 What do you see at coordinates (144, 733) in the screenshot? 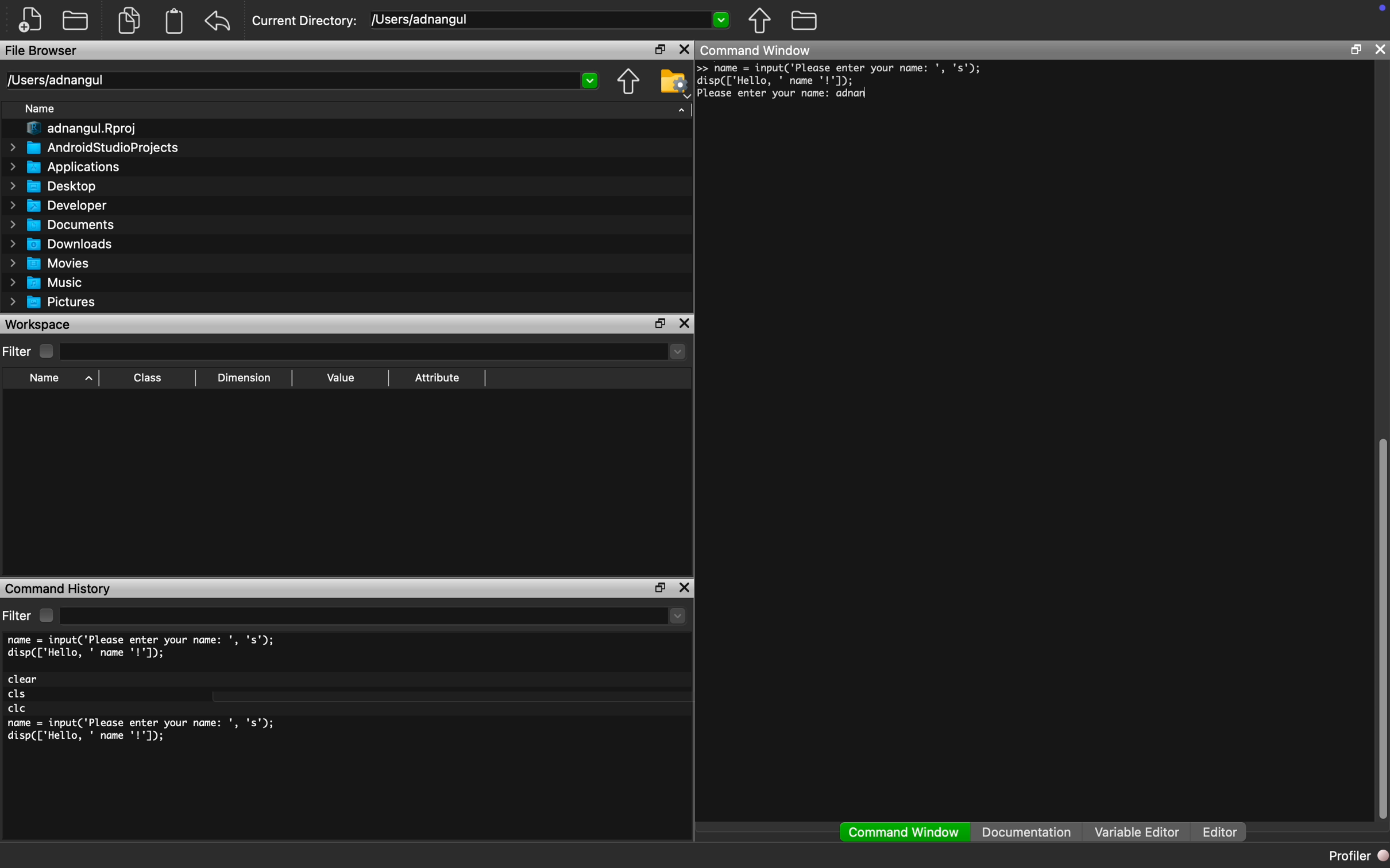
I see `name = input('Please enter your name: ','s');  disp(['Hello, 'name'!'])` at bounding box center [144, 733].